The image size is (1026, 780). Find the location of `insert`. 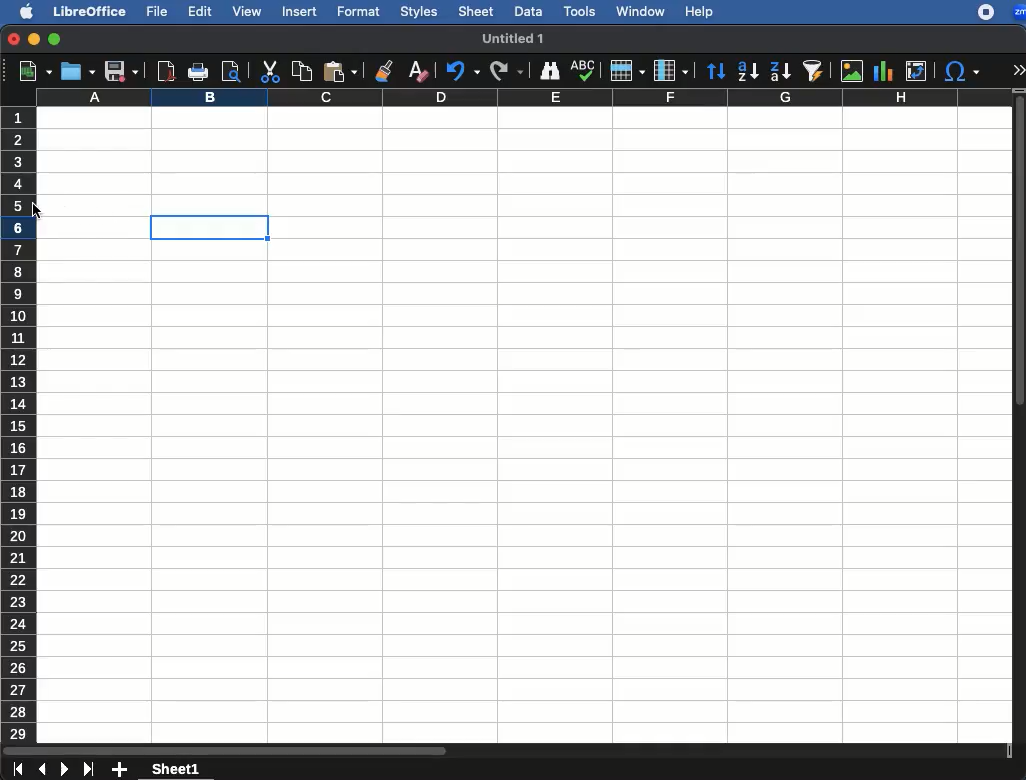

insert is located at coordinates (303, 12).